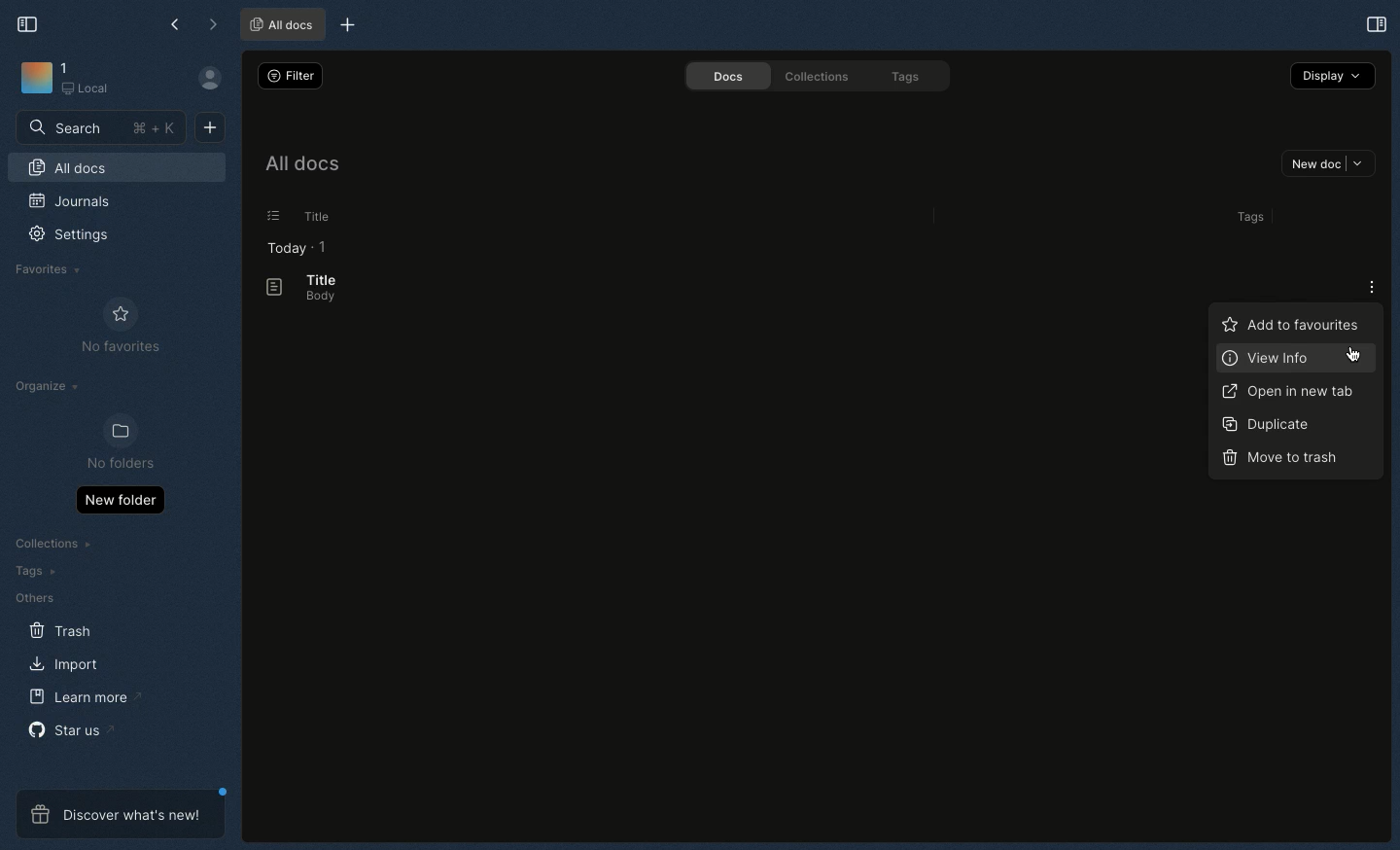  Describe the element at coordinates (113, 443) in the screenshot. I see `No folders` at that location.